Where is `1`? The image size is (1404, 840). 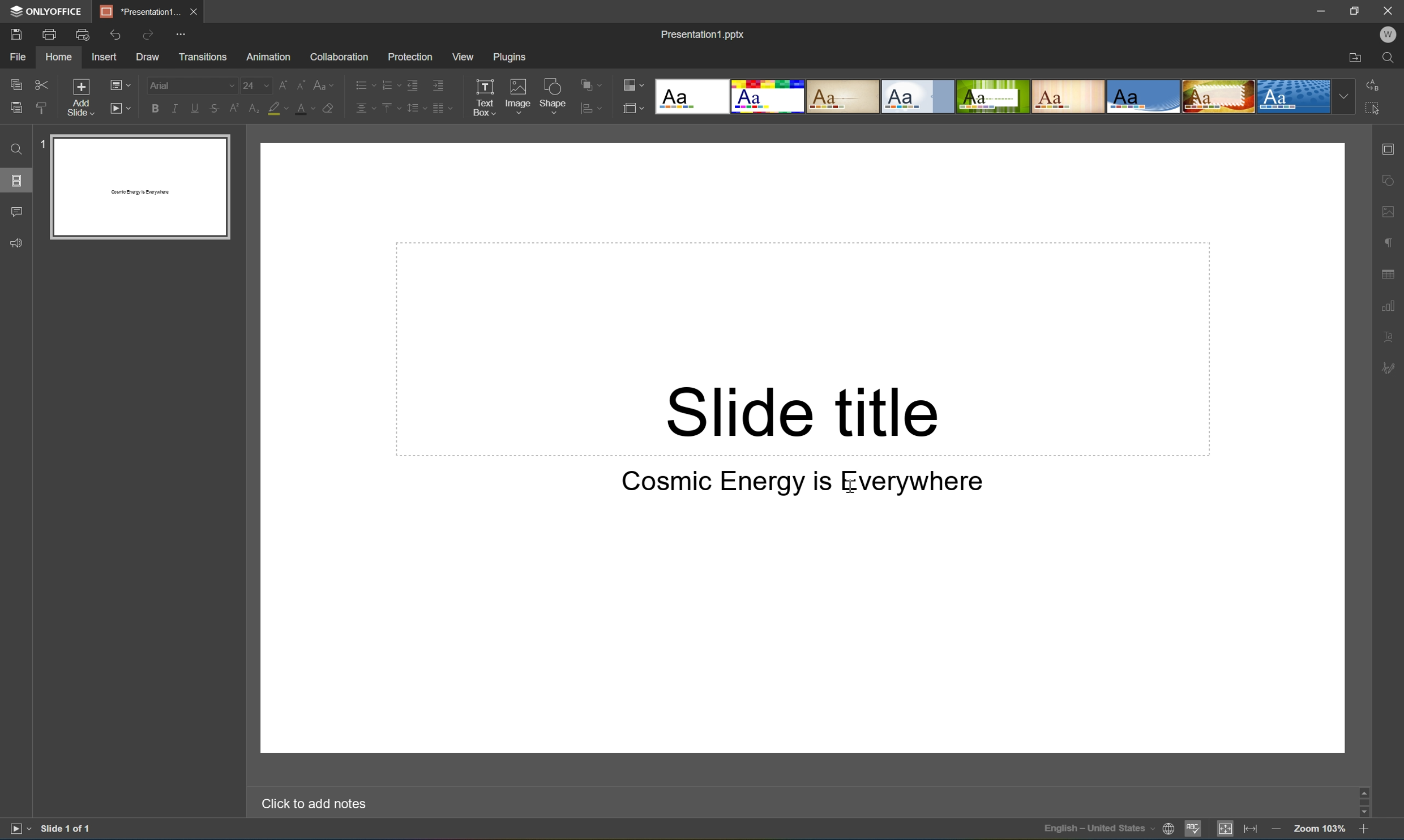 1 is located at coordinates (43, 142).